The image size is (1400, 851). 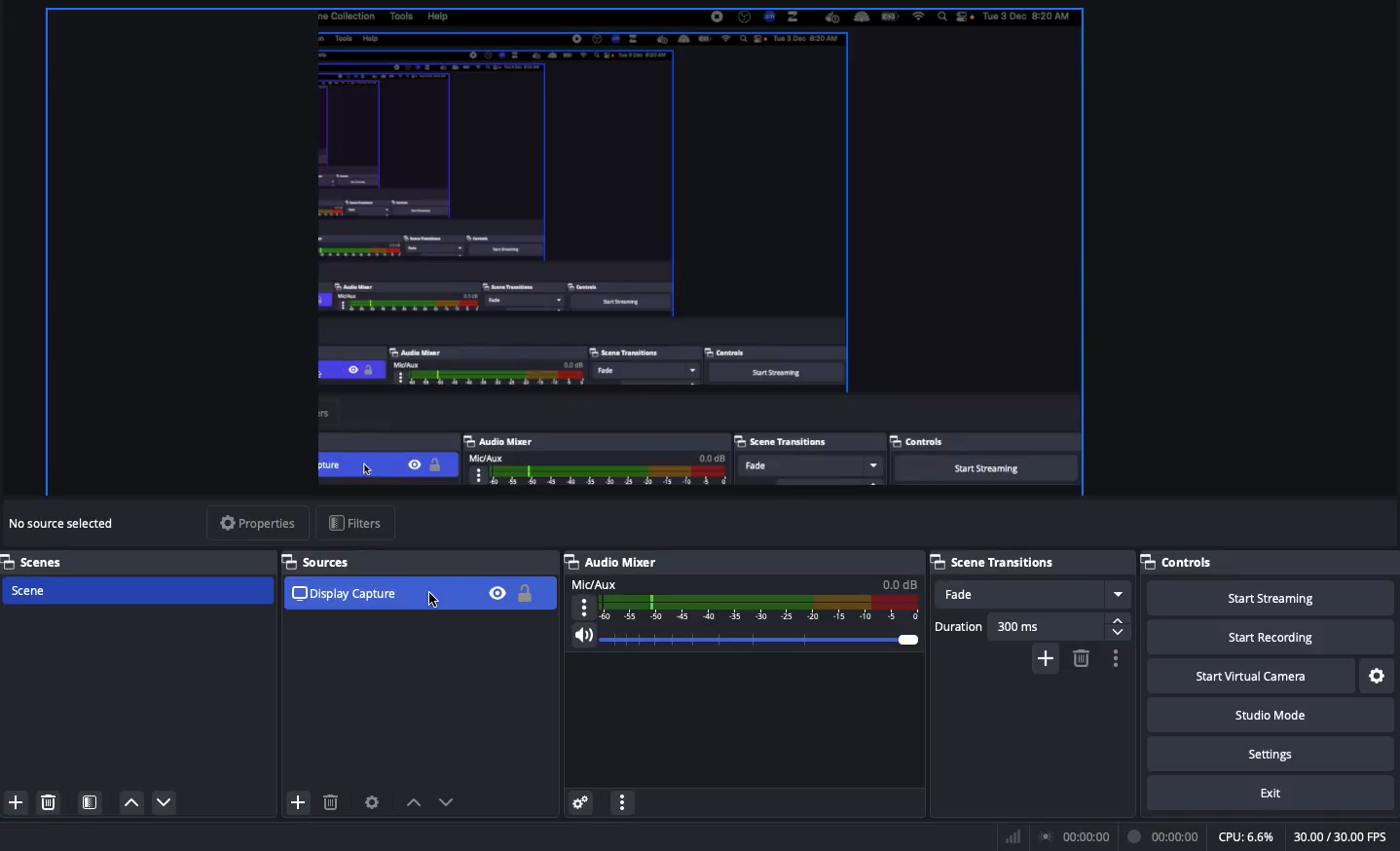 I want to click on Bar, so click(x=1011, y=836).